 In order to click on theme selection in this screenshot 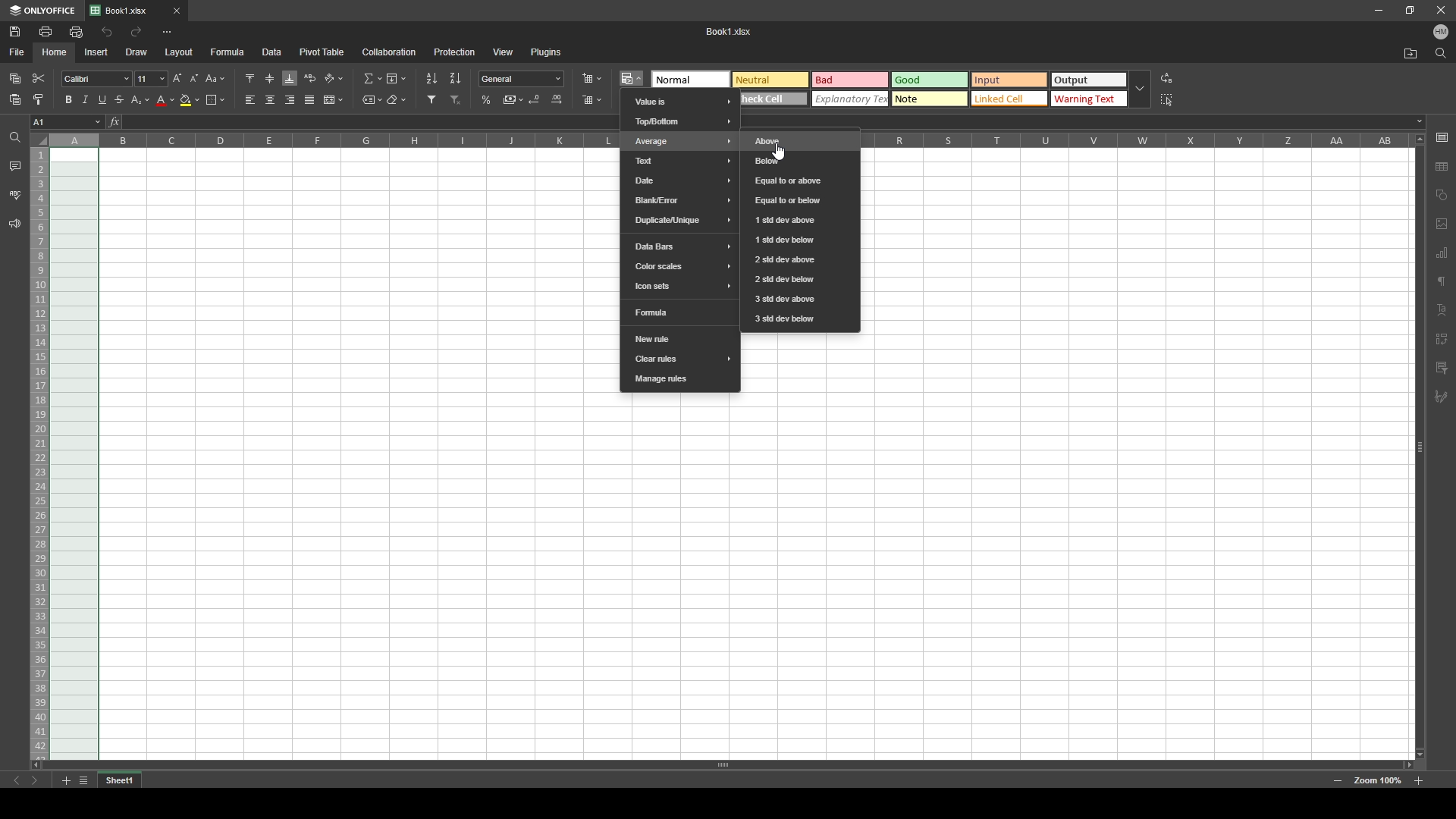, I will do `click(933, 89)`.